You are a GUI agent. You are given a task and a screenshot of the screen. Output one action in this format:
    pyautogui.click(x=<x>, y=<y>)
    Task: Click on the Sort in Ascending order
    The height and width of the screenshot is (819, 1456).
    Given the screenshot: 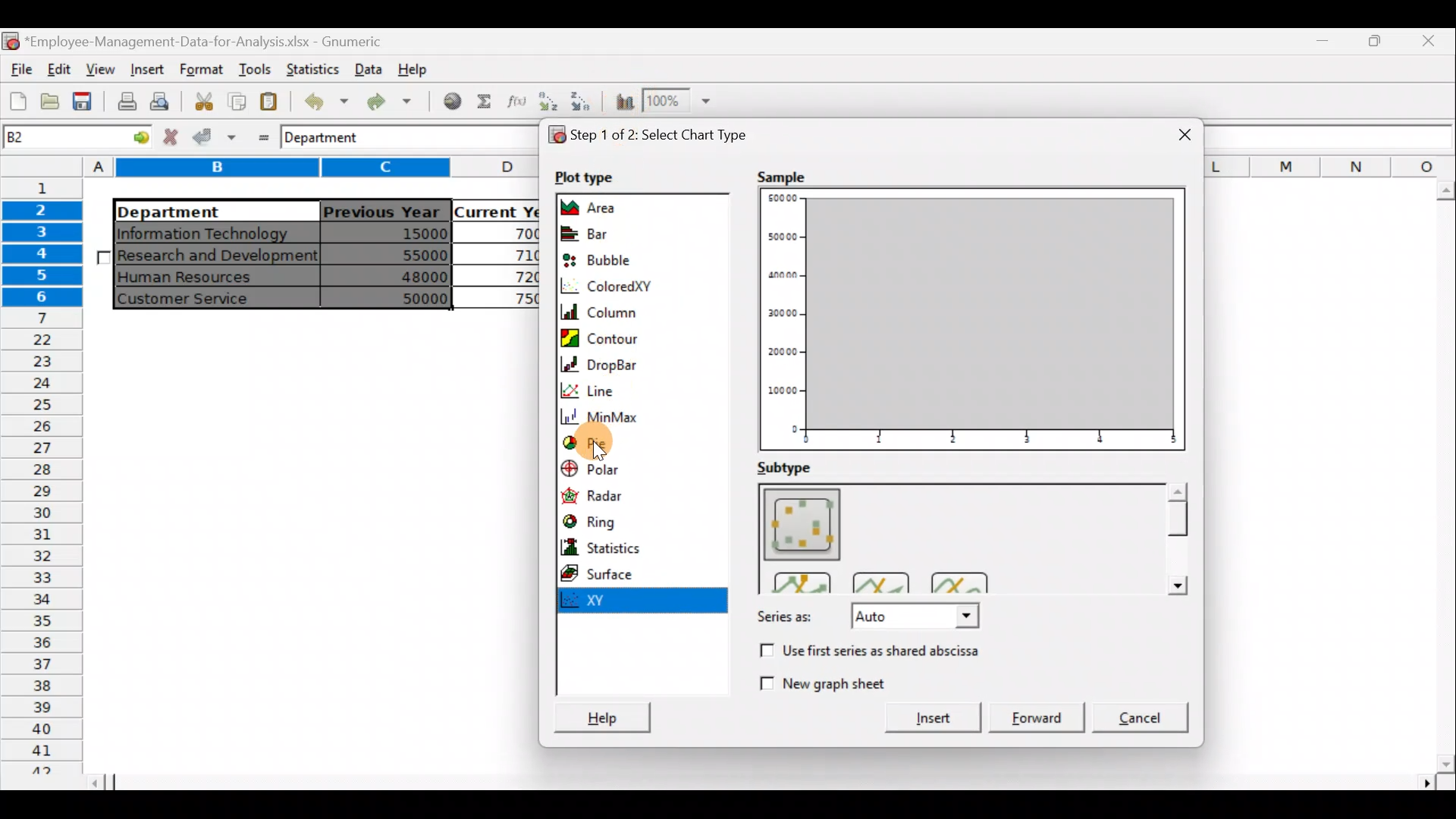 What is the action you would take?
    pyautogui.click(x=548, y=101)
    